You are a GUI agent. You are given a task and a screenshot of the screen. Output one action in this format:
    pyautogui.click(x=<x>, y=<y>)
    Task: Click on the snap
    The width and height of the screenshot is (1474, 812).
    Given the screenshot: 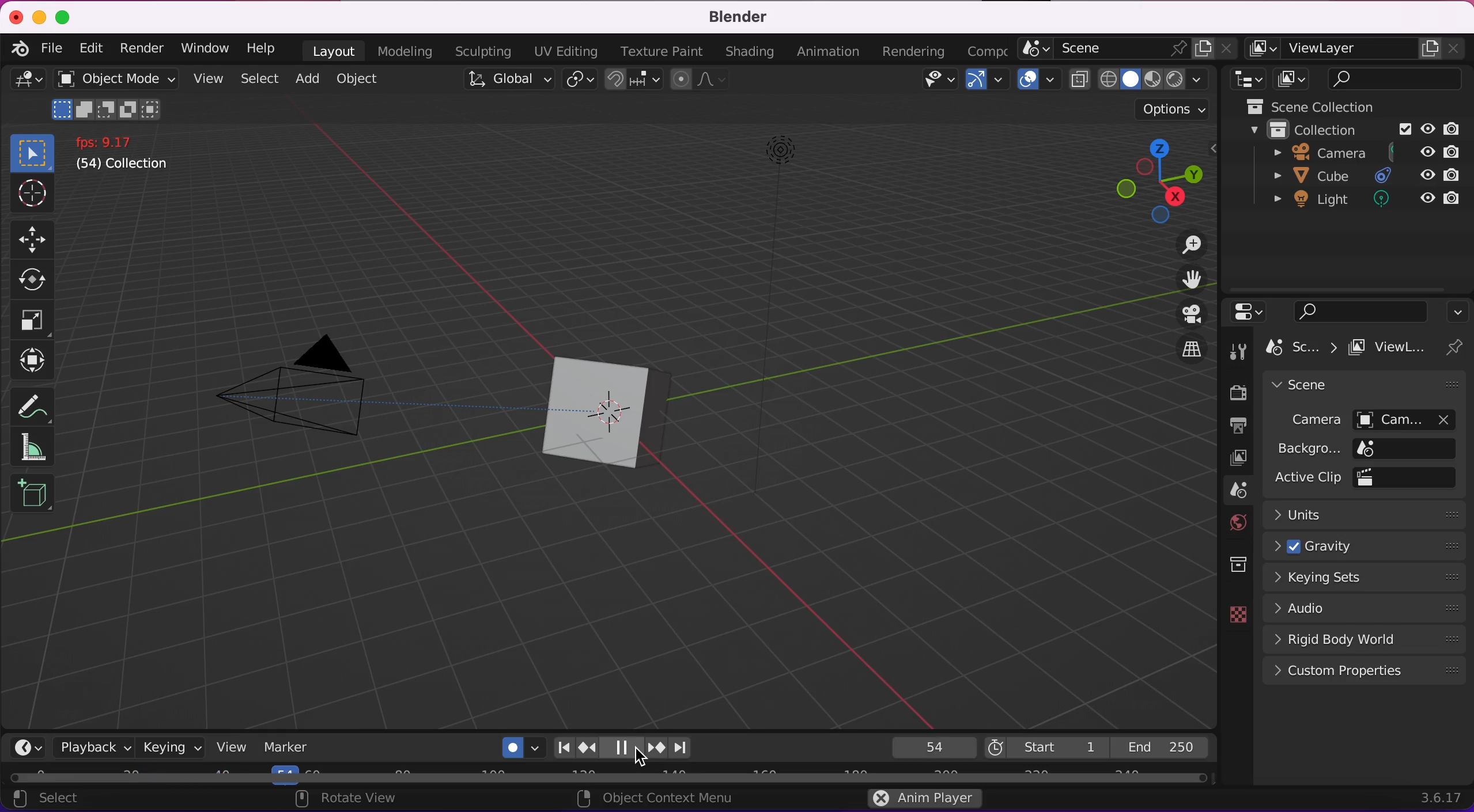 What is the action you would take?
    pyautogui.click(x=632, y=81)
    